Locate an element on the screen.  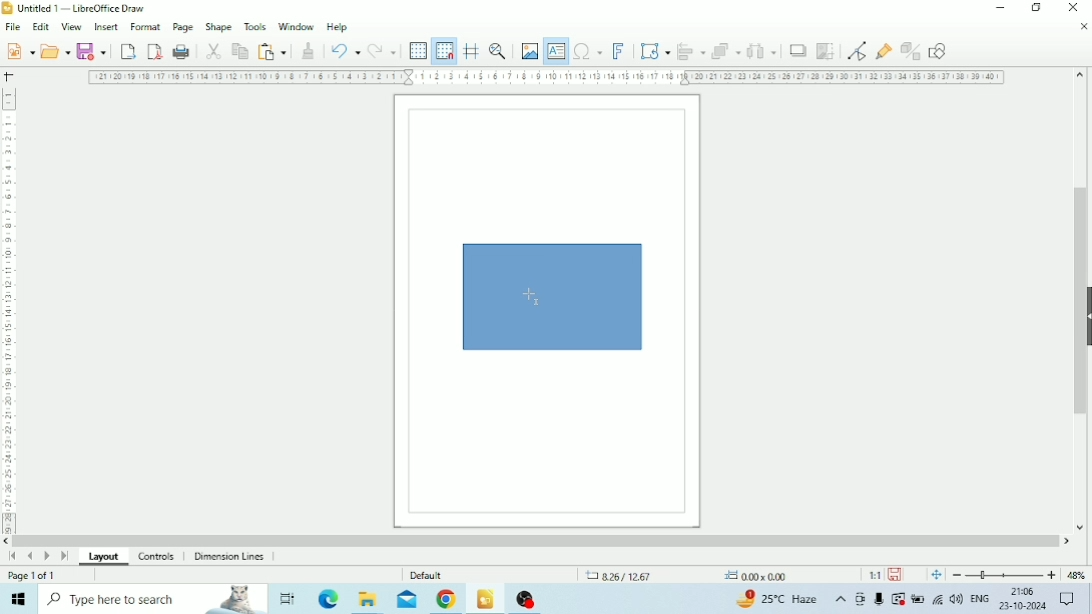
File is located at coordinates (12, 27).